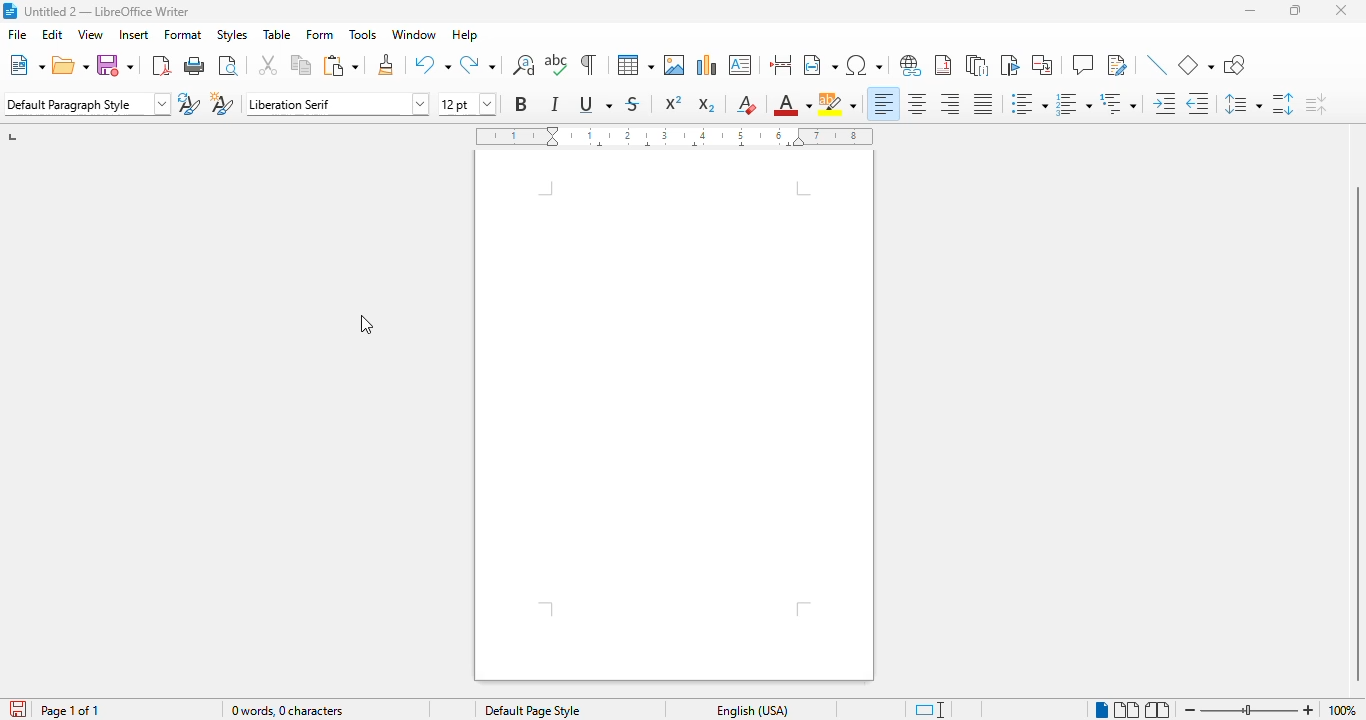  I want to click on insert cross-reference, so click(1041, 65).